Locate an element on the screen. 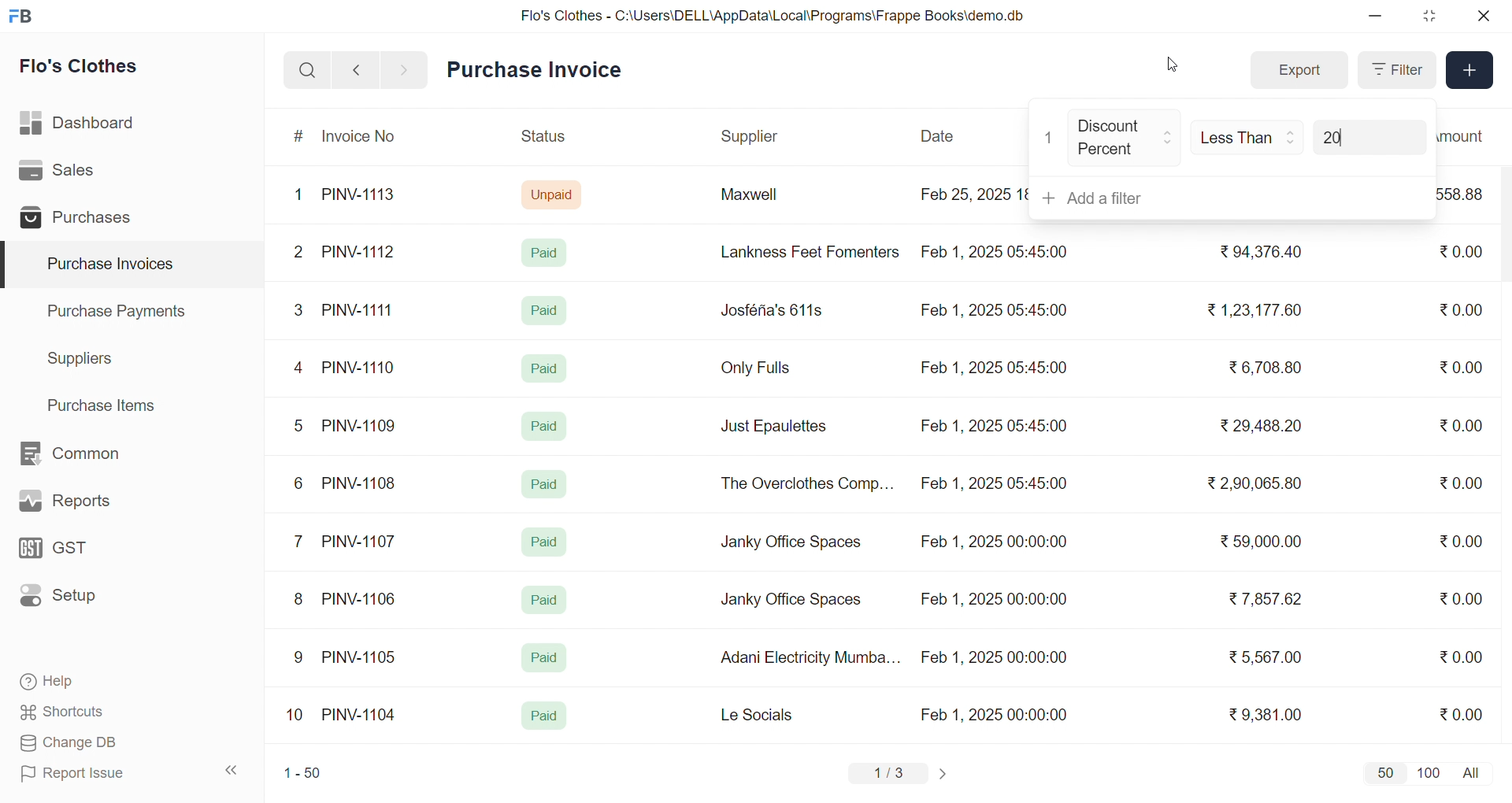 The image size is (1512, 803). ₹1,23,177.60 is located at coordinates (1252, 309).